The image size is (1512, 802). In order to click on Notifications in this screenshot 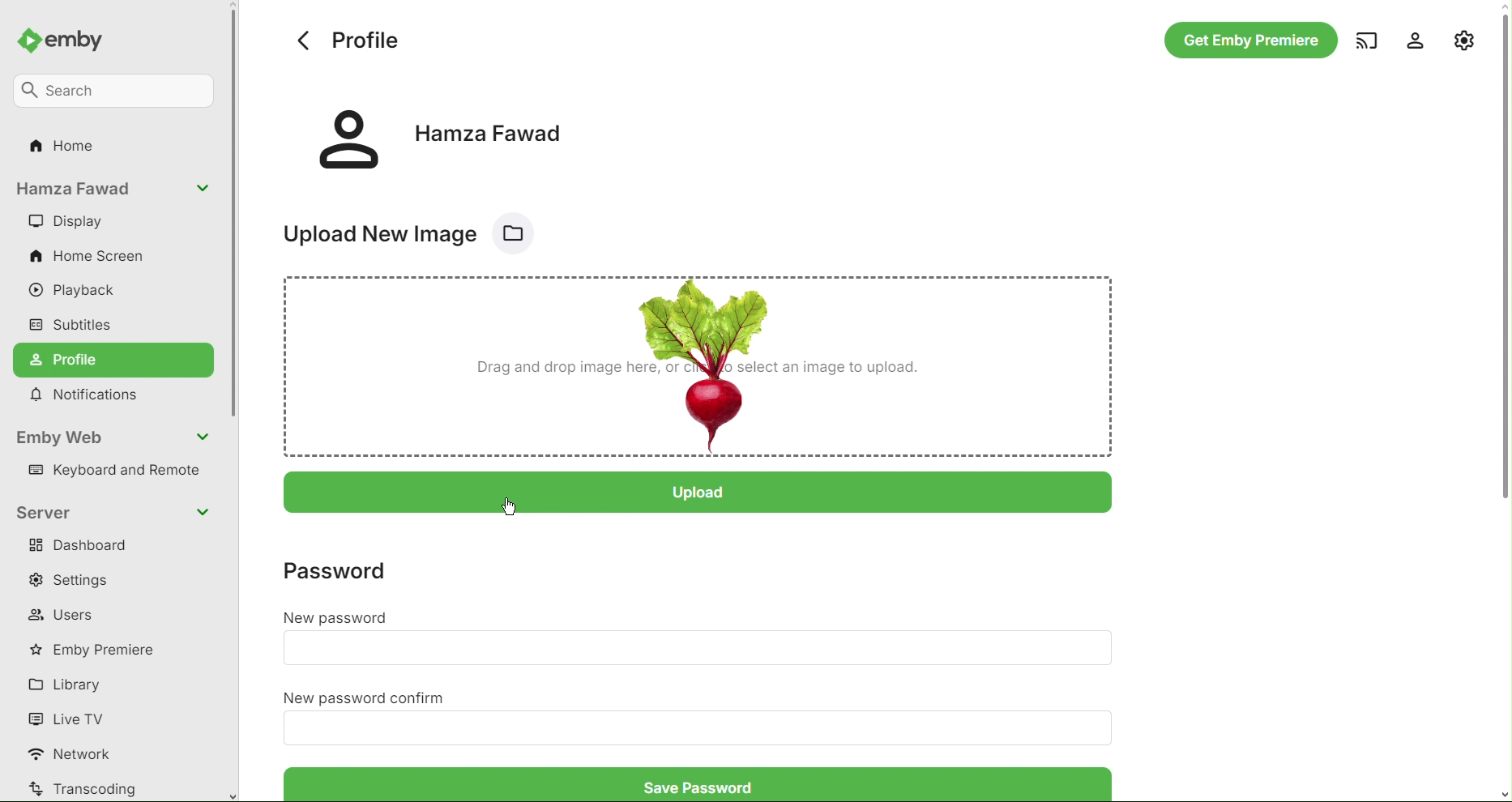, I will do `click(91, 396)`.